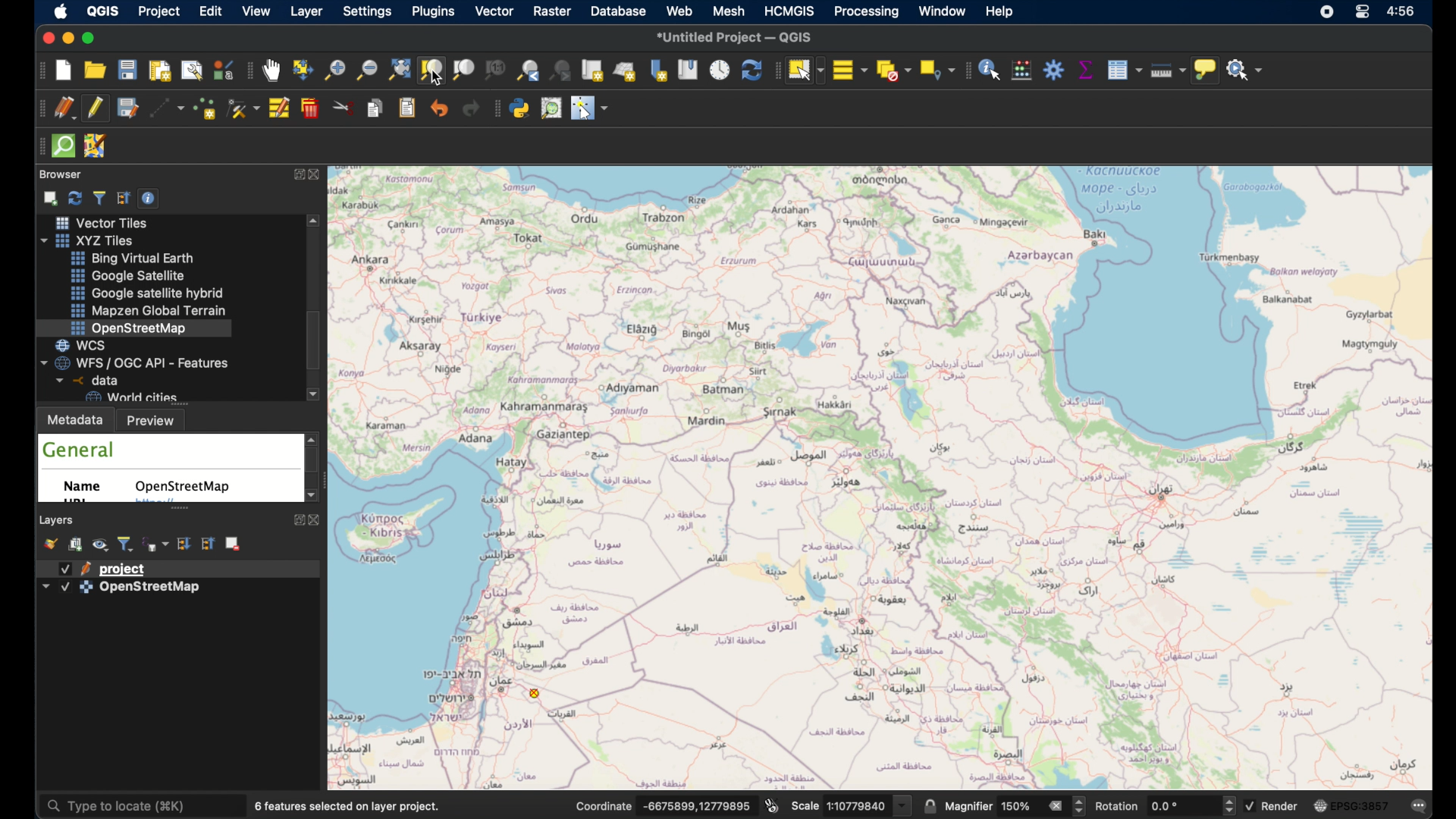 This screenshot has height=819, width=1456. I want to click on project toolbar, so click(38, 72).